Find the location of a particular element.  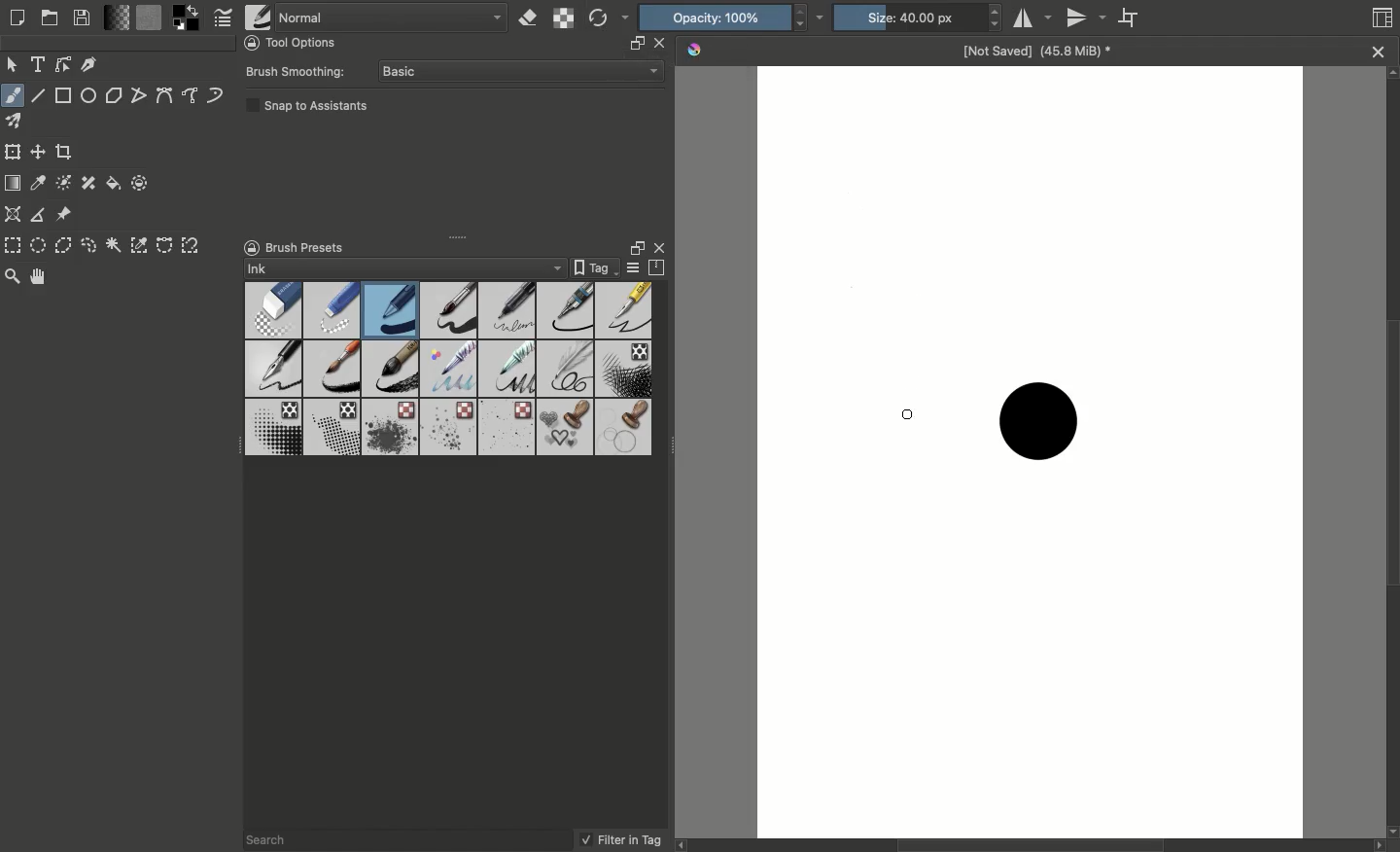

Magnetic curve selection tool is located at coordinates (192, 245).